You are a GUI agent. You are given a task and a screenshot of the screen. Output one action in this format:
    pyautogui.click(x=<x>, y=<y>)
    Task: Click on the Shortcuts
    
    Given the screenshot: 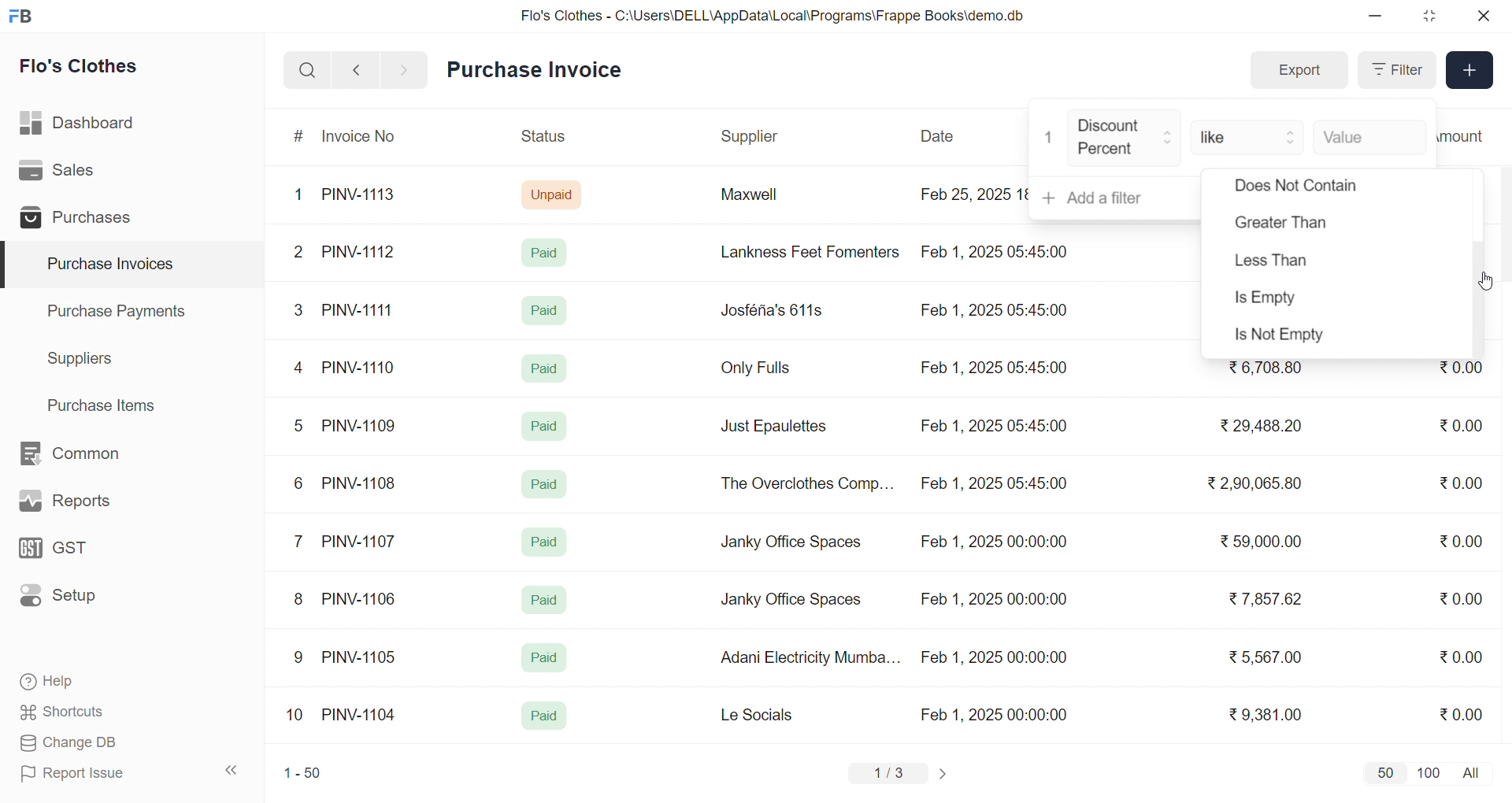 What is the action you would take?
    pyautogui.click(x=99, y=712)
    